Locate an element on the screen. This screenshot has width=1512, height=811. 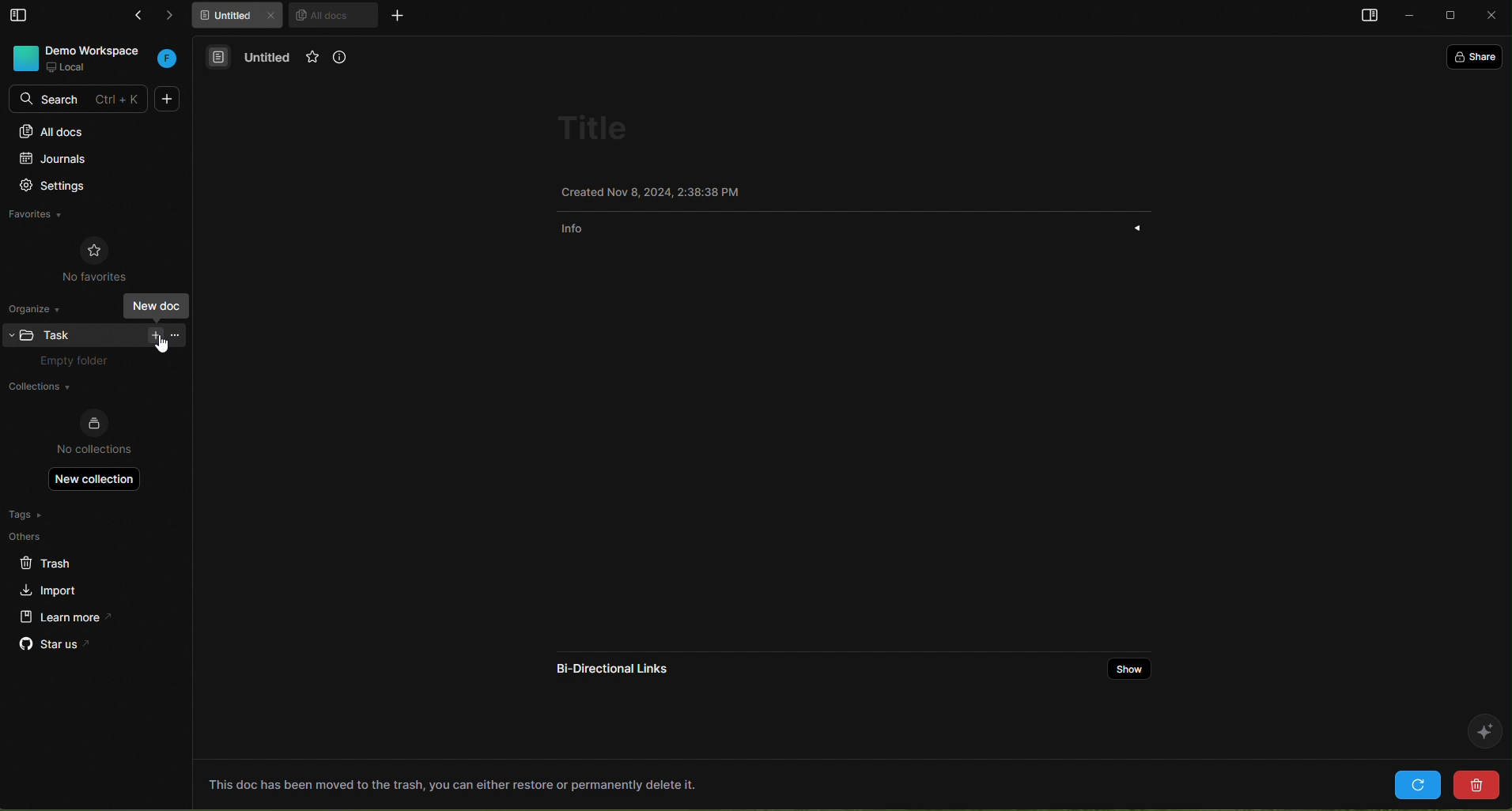
show is located at coordinates (1132, 670).